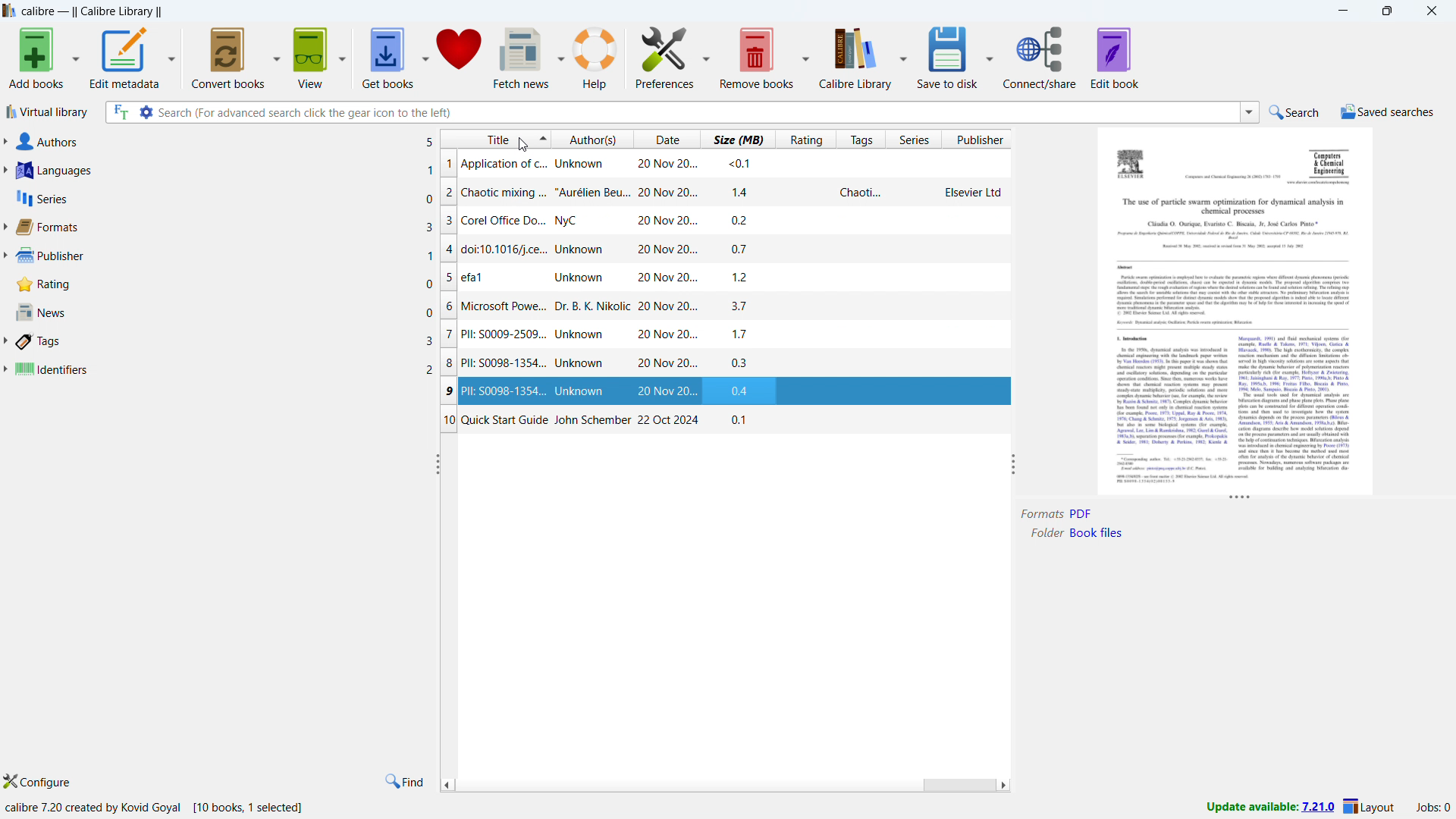  What do you see at coordinates (449, 248) in the screenshot?
I see `4` at bounding box center [449, 248].